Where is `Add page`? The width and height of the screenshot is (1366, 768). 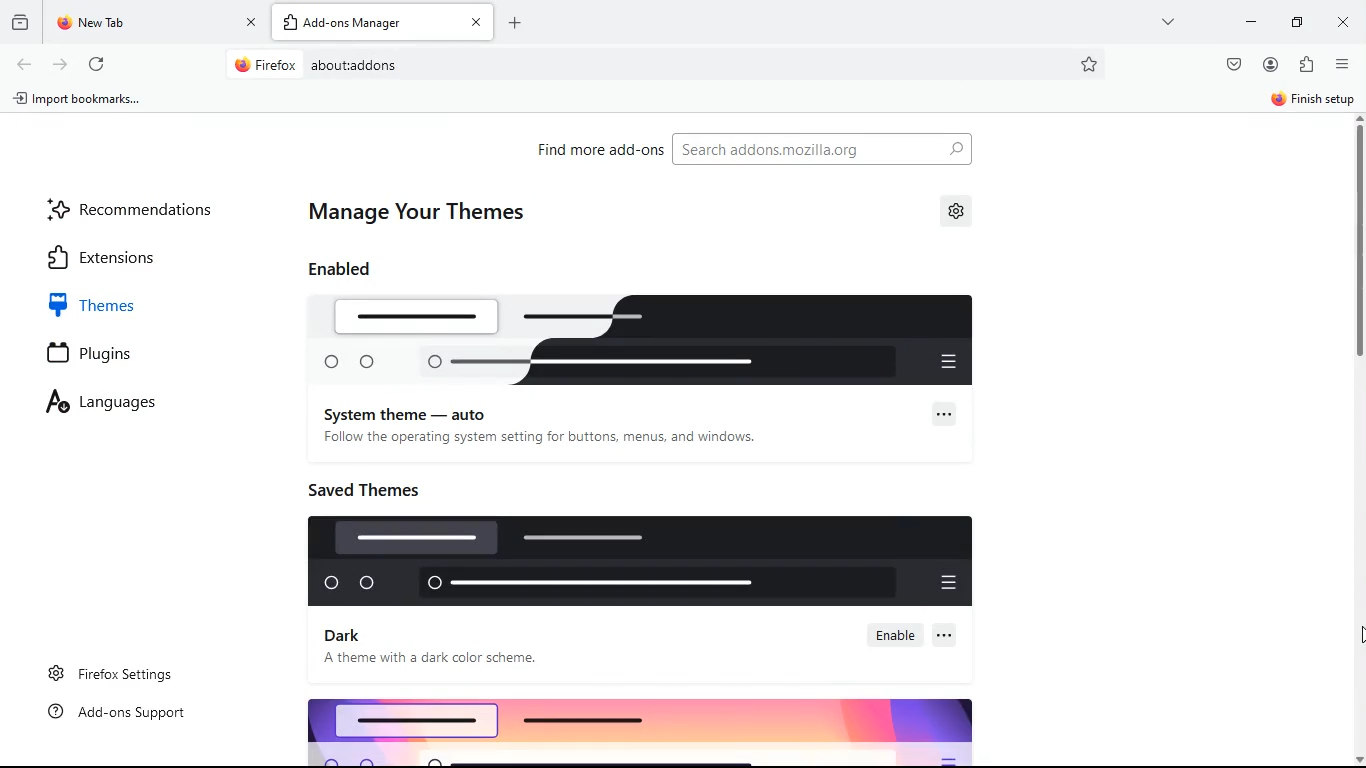
Add page is located at coordinates (514, 23).